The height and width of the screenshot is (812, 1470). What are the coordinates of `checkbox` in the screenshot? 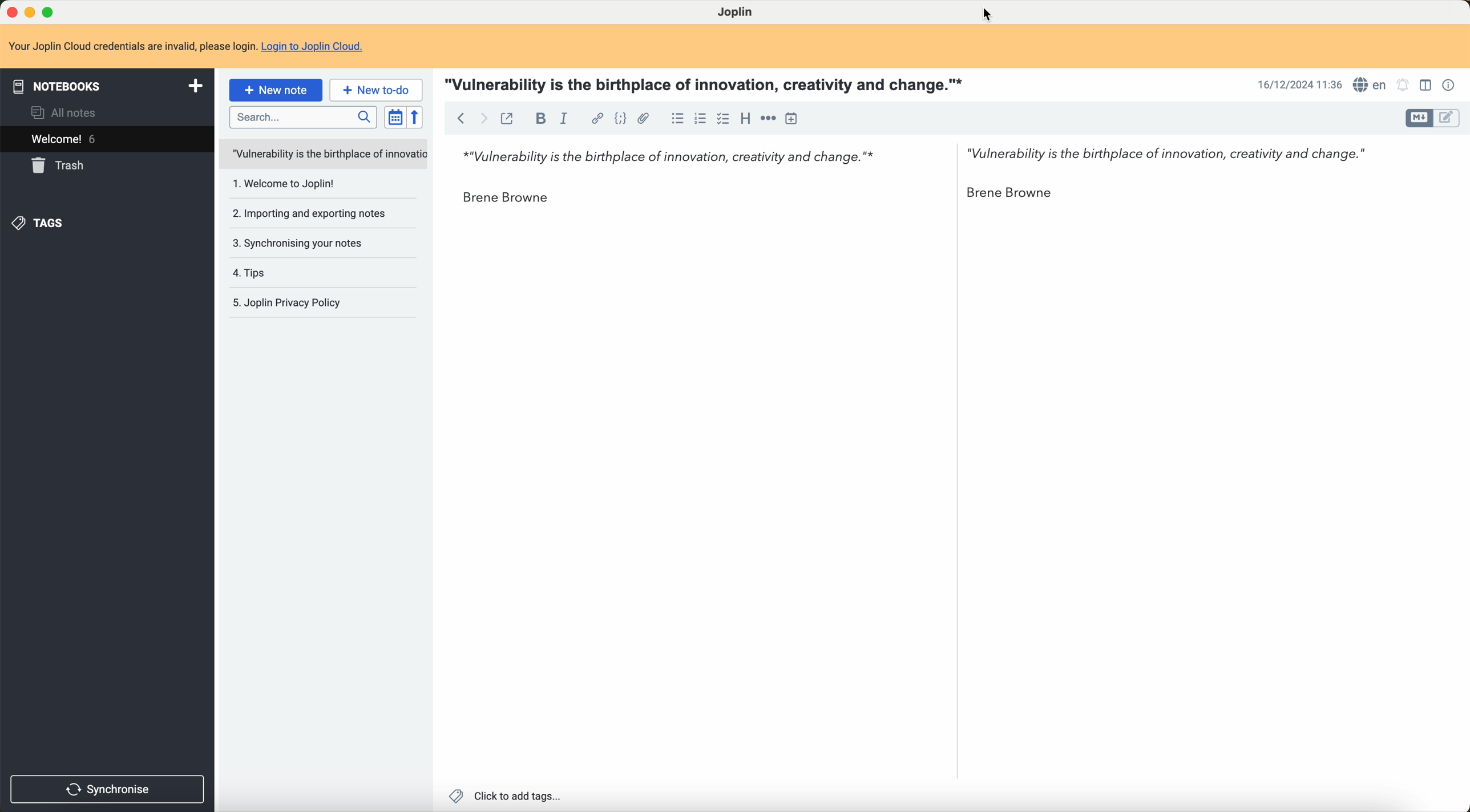 It's located at (721, 119).